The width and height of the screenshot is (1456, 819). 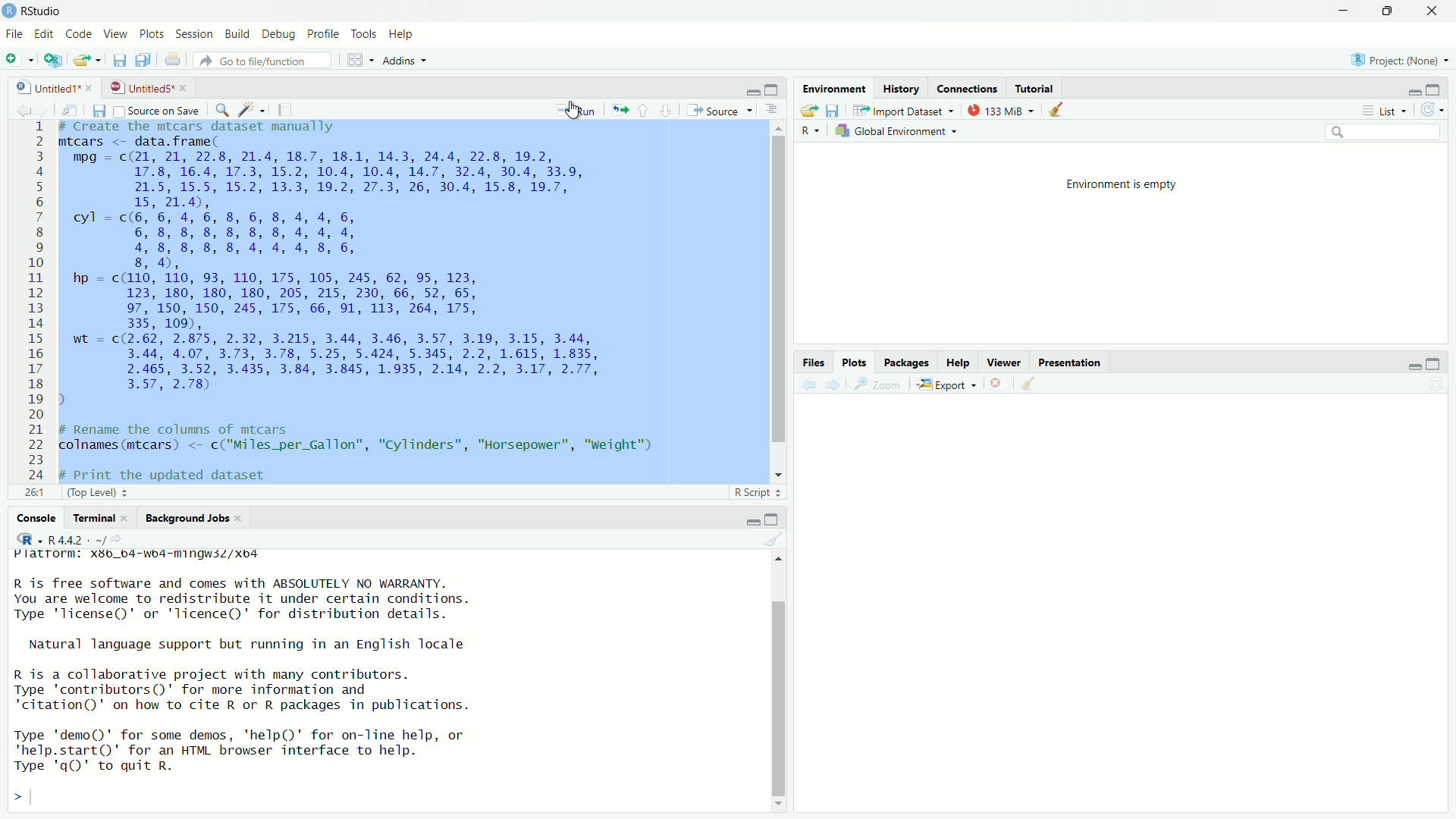 What do you see at coordinates (237, 33) in the screenshot?
I see `Build` at bounding box center [237, 33].